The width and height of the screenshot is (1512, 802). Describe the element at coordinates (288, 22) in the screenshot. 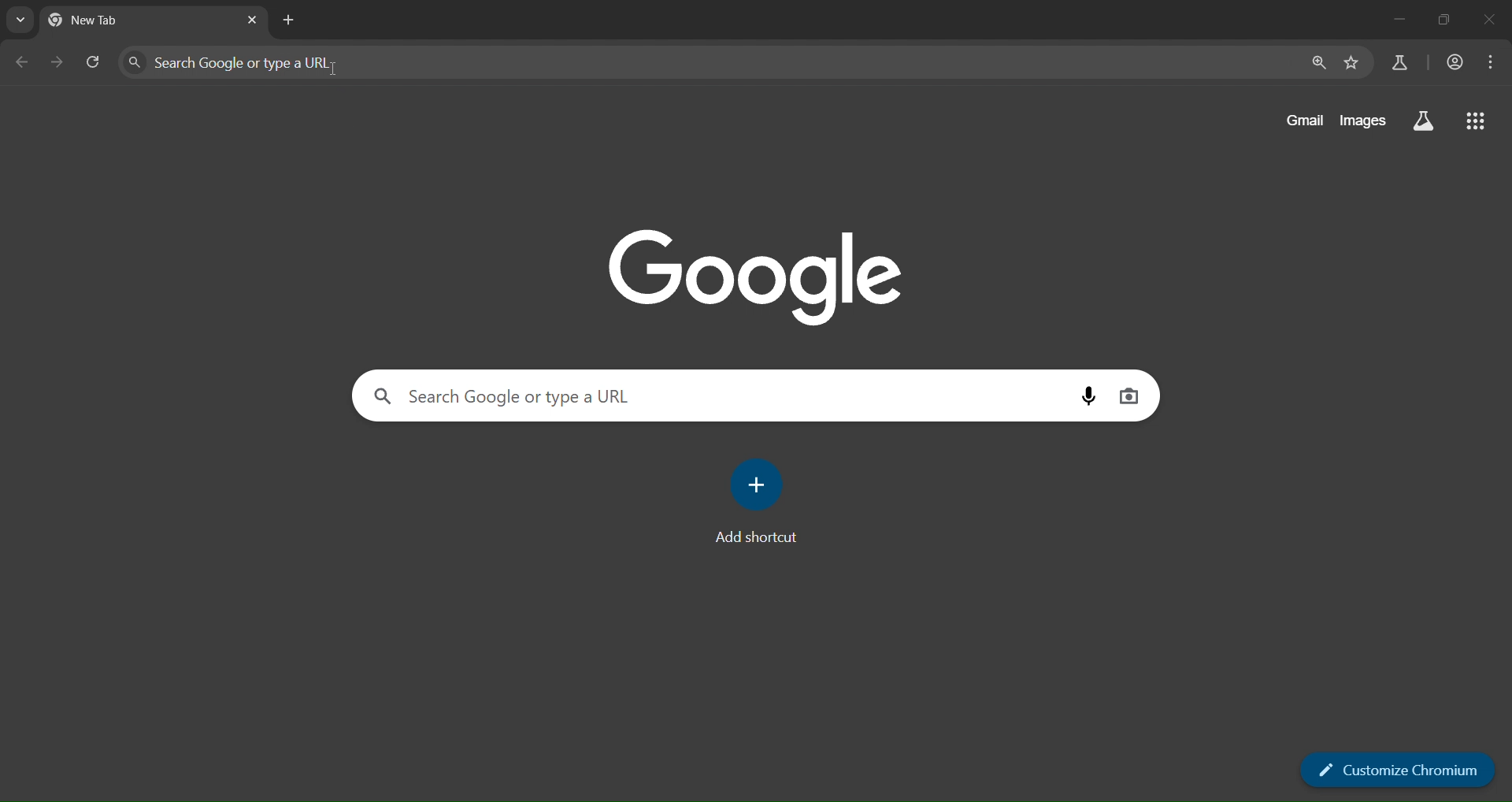

I see `new tab` at that location.